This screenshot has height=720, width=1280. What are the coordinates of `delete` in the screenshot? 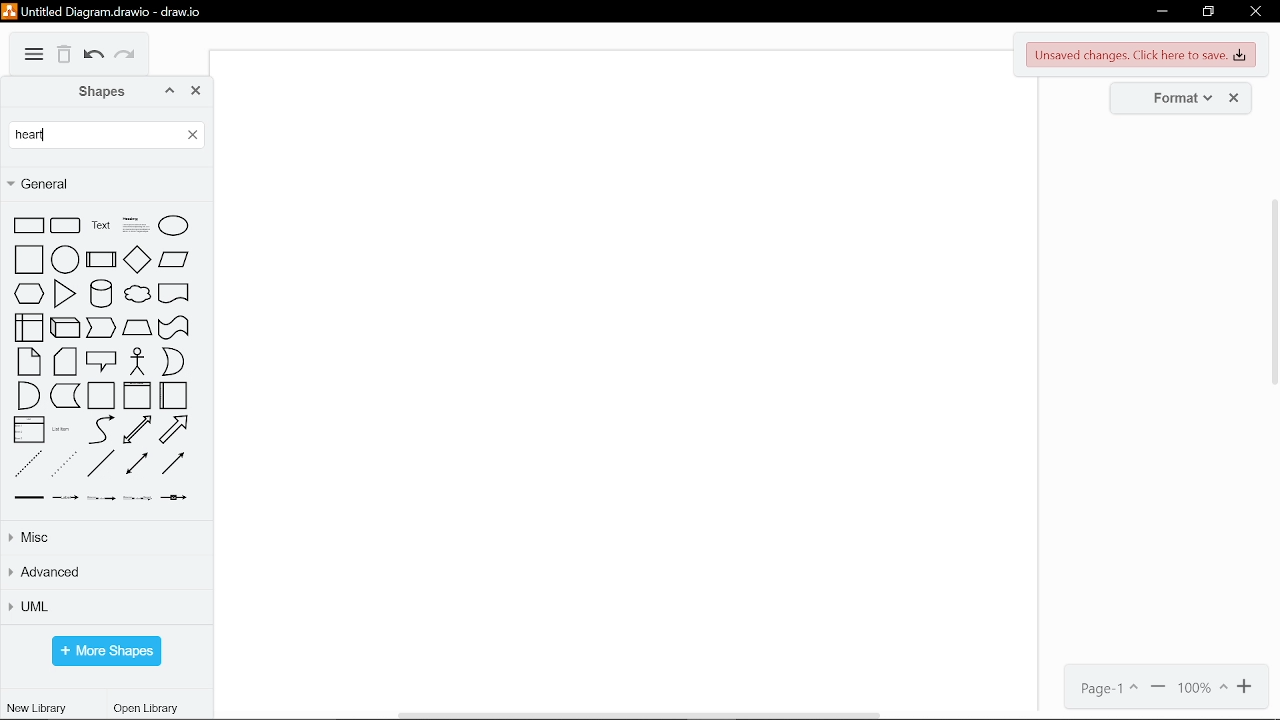 It's located at (65, 55).